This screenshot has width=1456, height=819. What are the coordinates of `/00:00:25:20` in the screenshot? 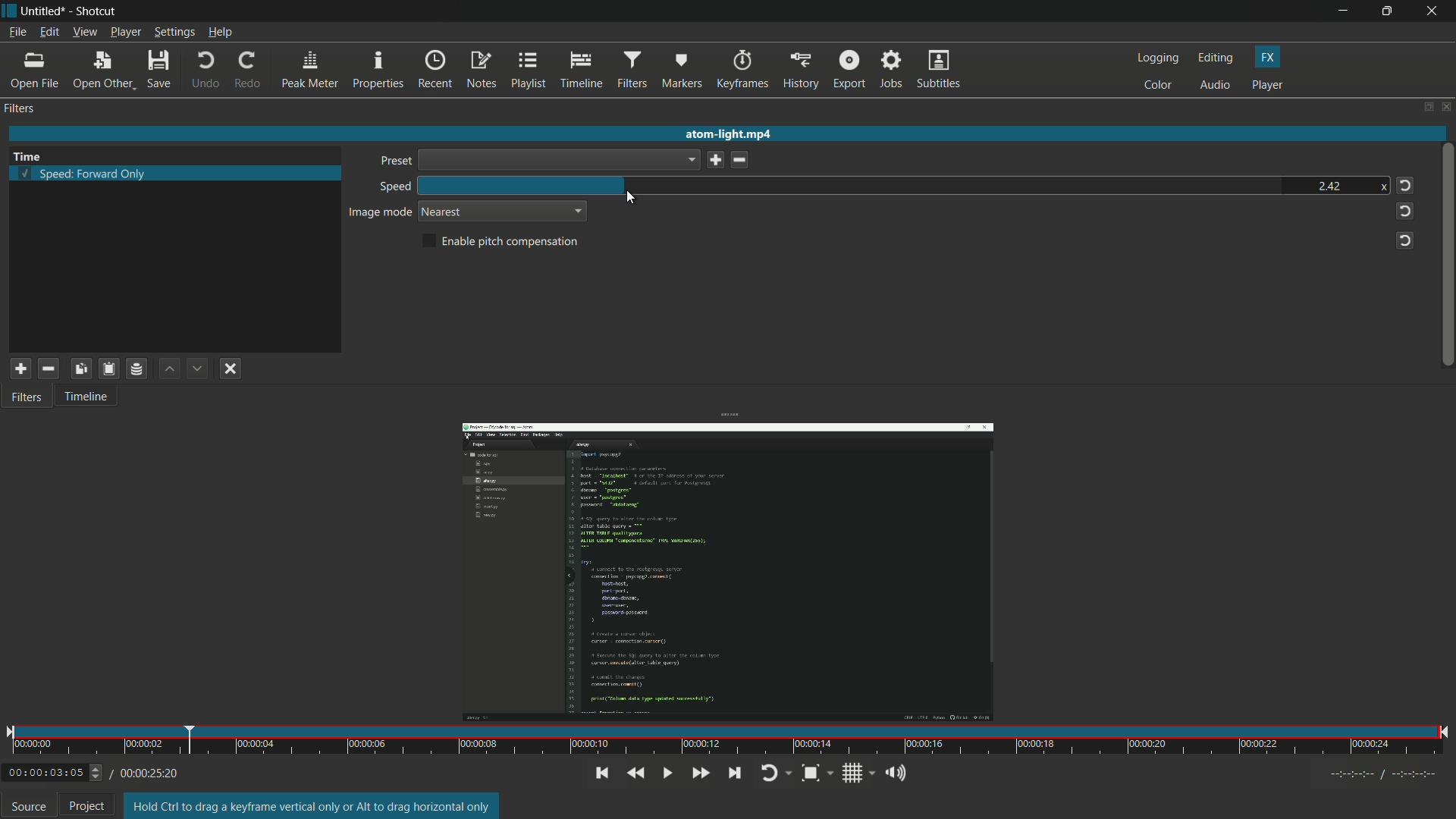 It's located at (149, 773).